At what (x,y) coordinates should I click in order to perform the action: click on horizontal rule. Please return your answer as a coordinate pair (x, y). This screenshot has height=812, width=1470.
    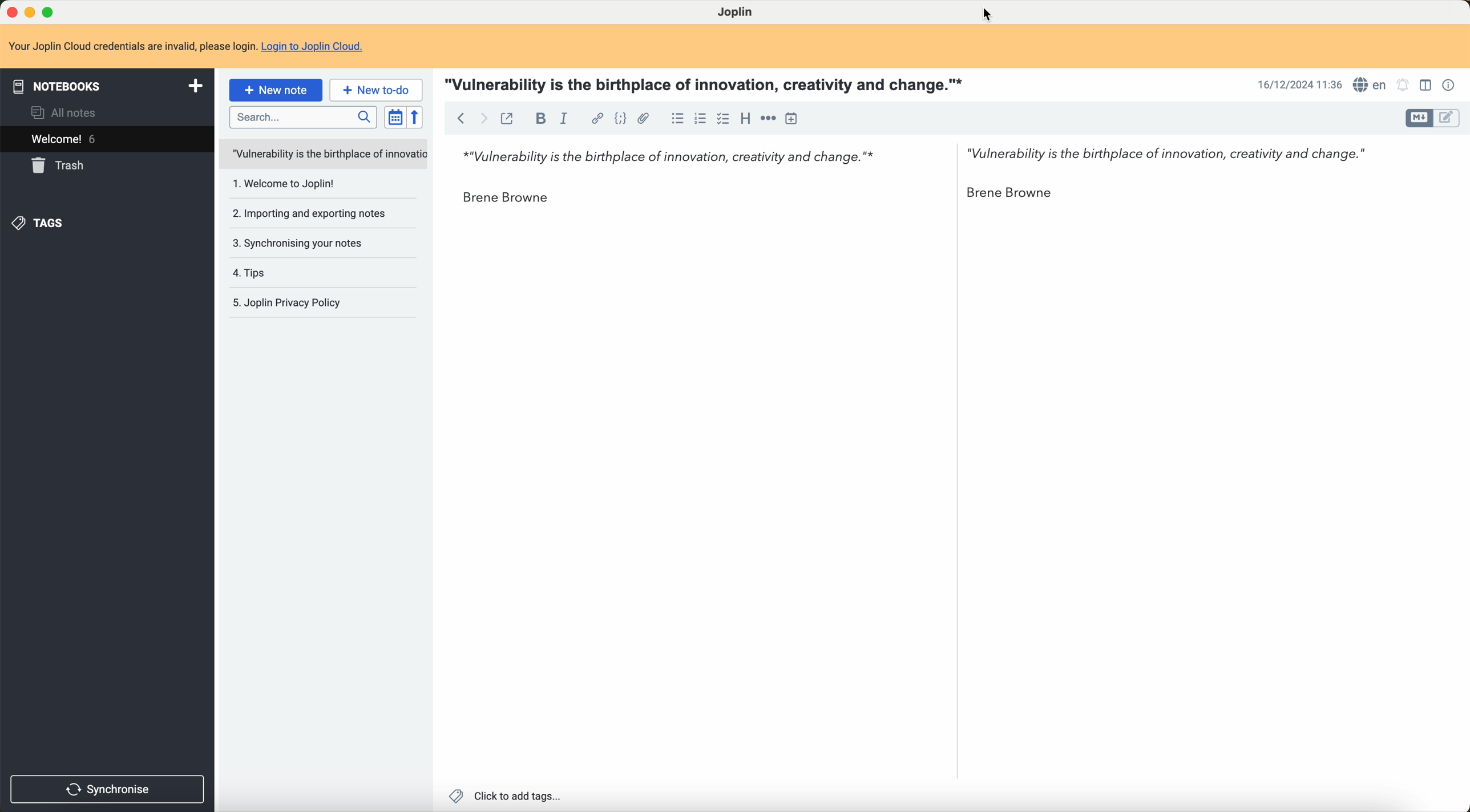
    Looking at the image, I should click on (767, 117).